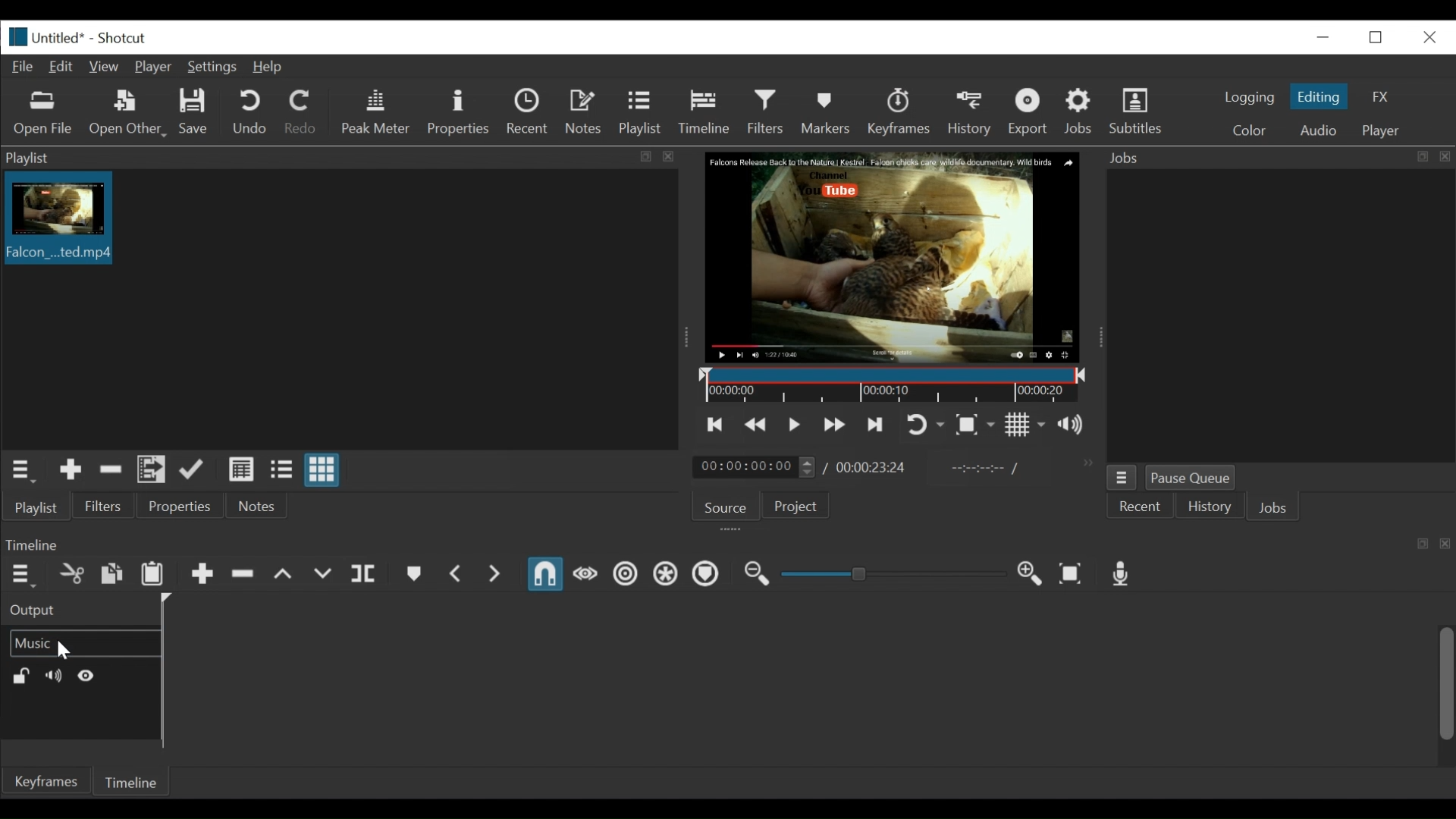 The image size is (1456, 819). I want to click on Ripple, so click(626, 575).